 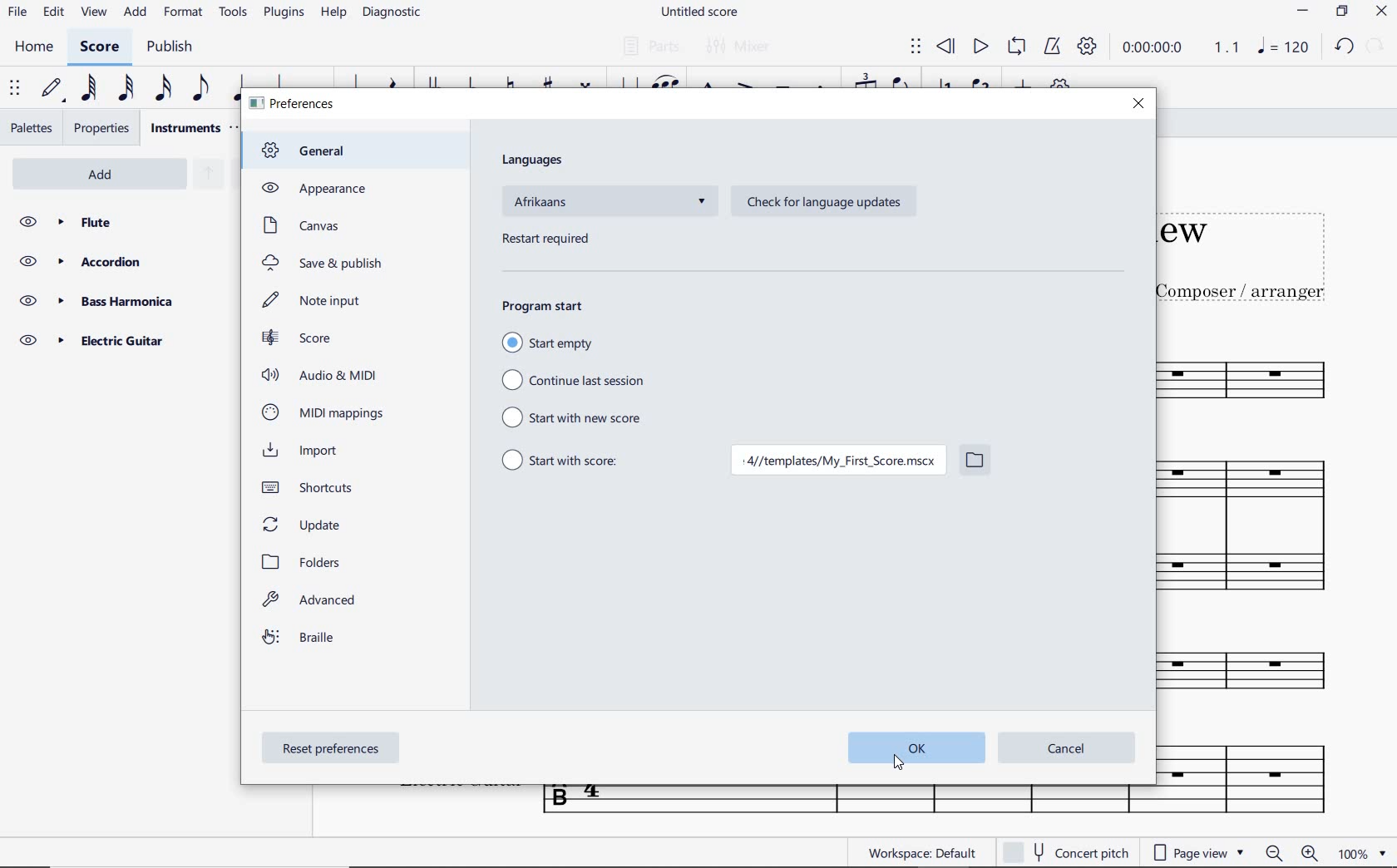 What do you see at coordinates (571, 343) in the screenshot?
I see `start empty` at bounding box center [571, 343].